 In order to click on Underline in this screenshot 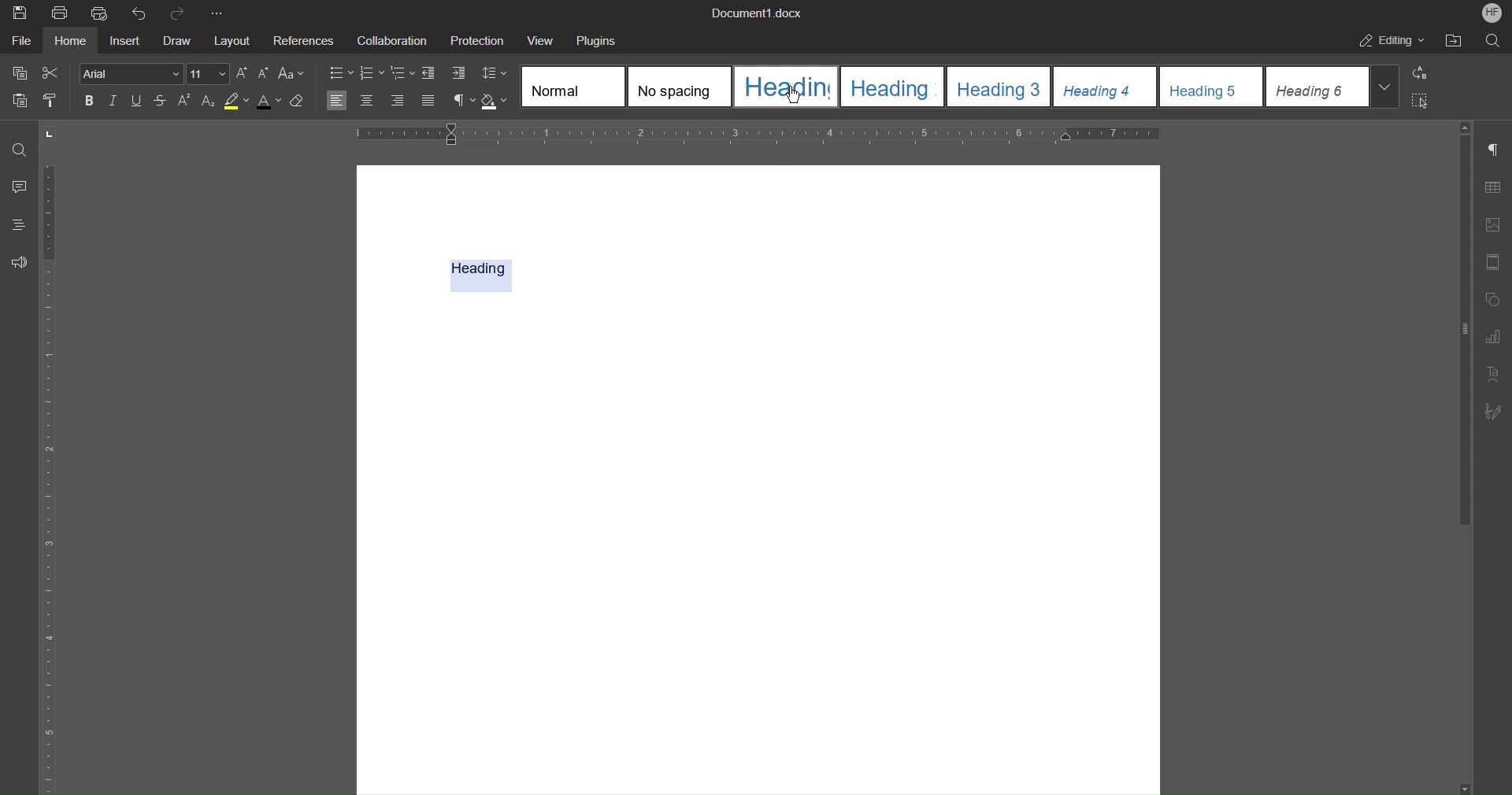, I will do `click(137, 102)`.